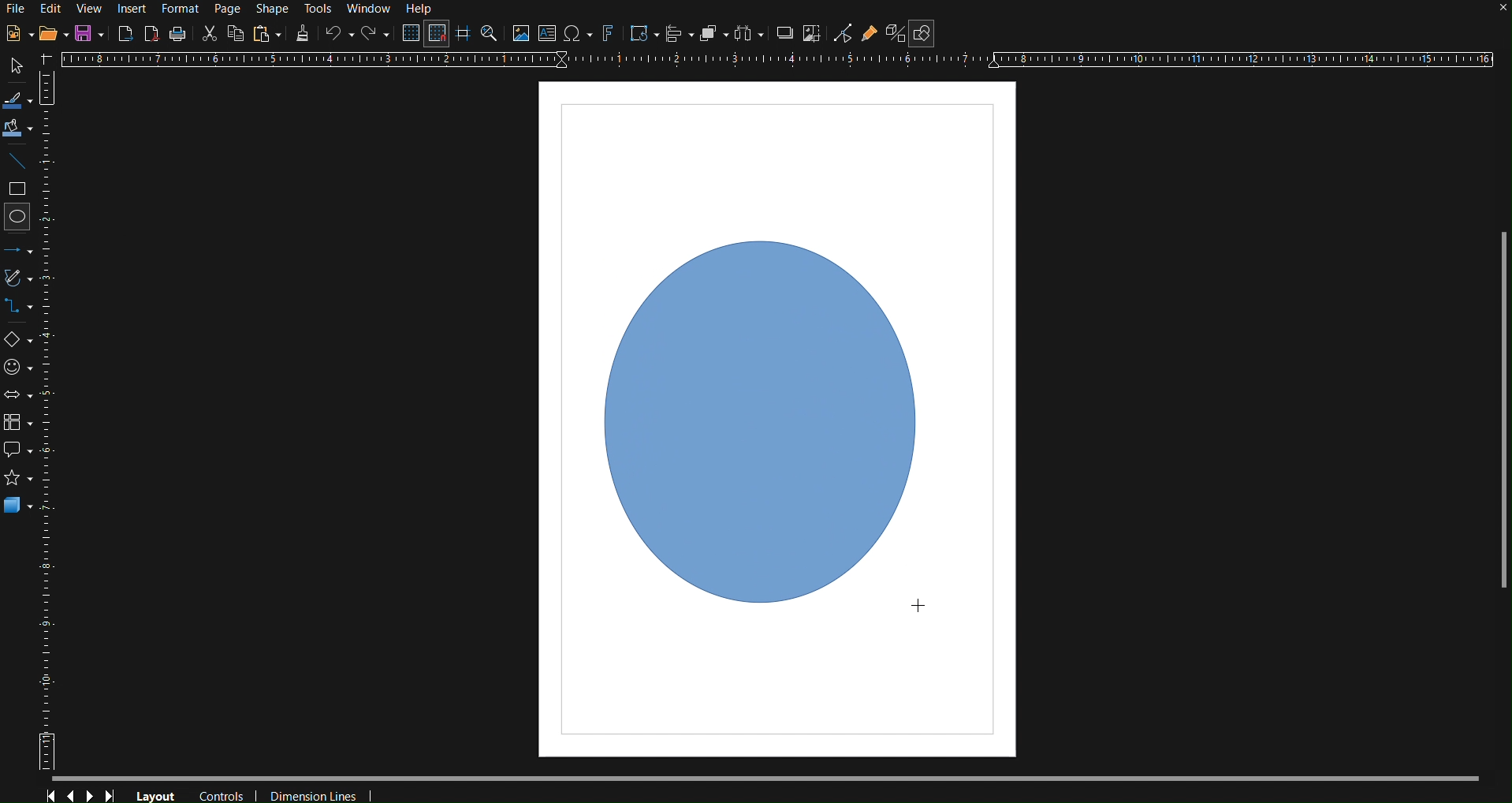 Image resolution: width=1512 pixels, height=803 pixels. I want to click on Insert special character, so click(576, 35).